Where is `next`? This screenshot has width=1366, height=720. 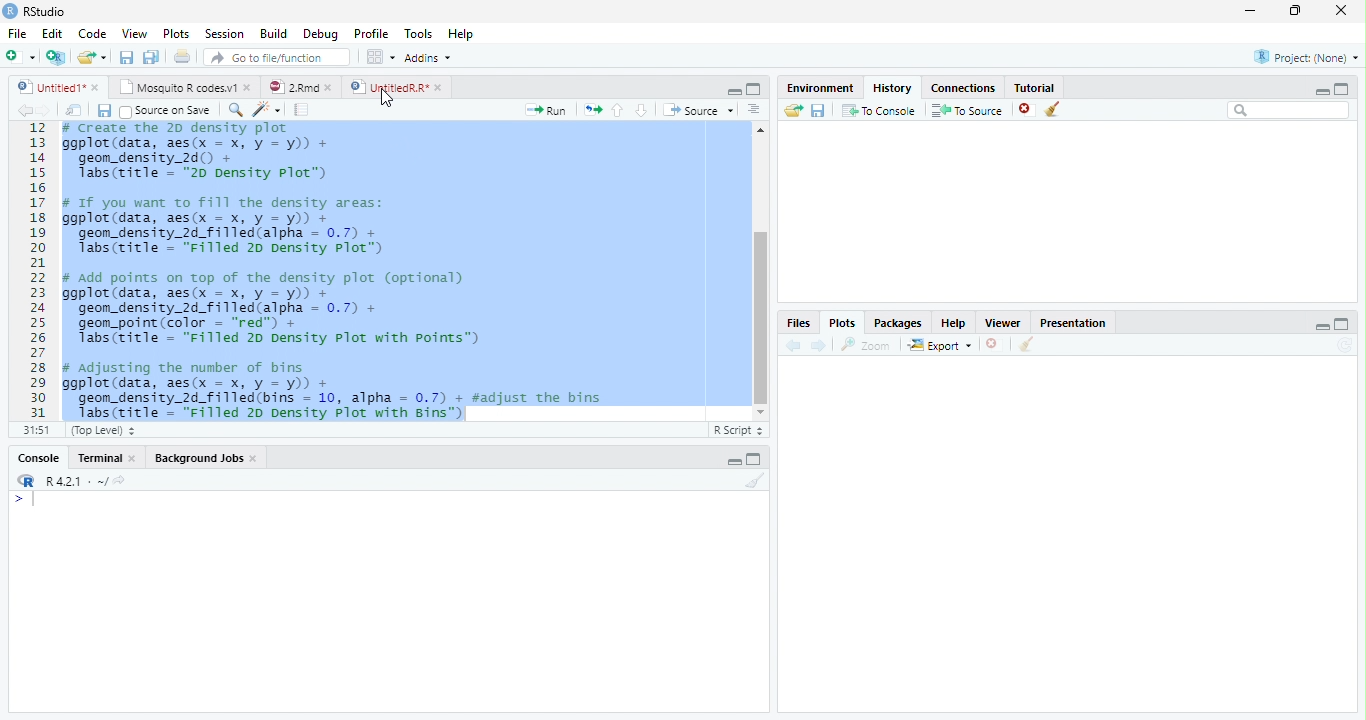
next is located at coordinates (821, 346).